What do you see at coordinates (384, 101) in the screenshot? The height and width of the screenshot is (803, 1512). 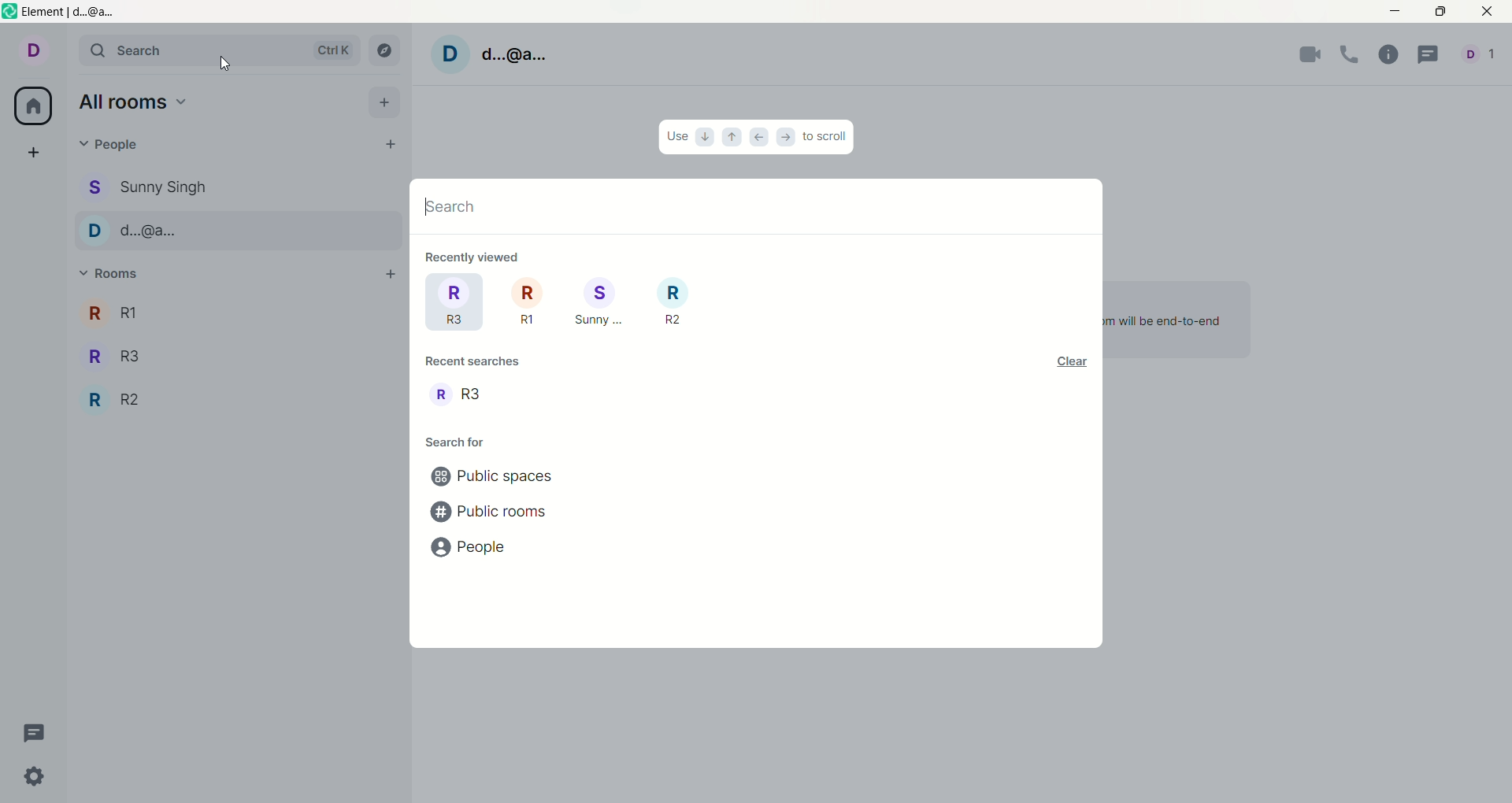 I see `add` at bounding box center [384, 101].